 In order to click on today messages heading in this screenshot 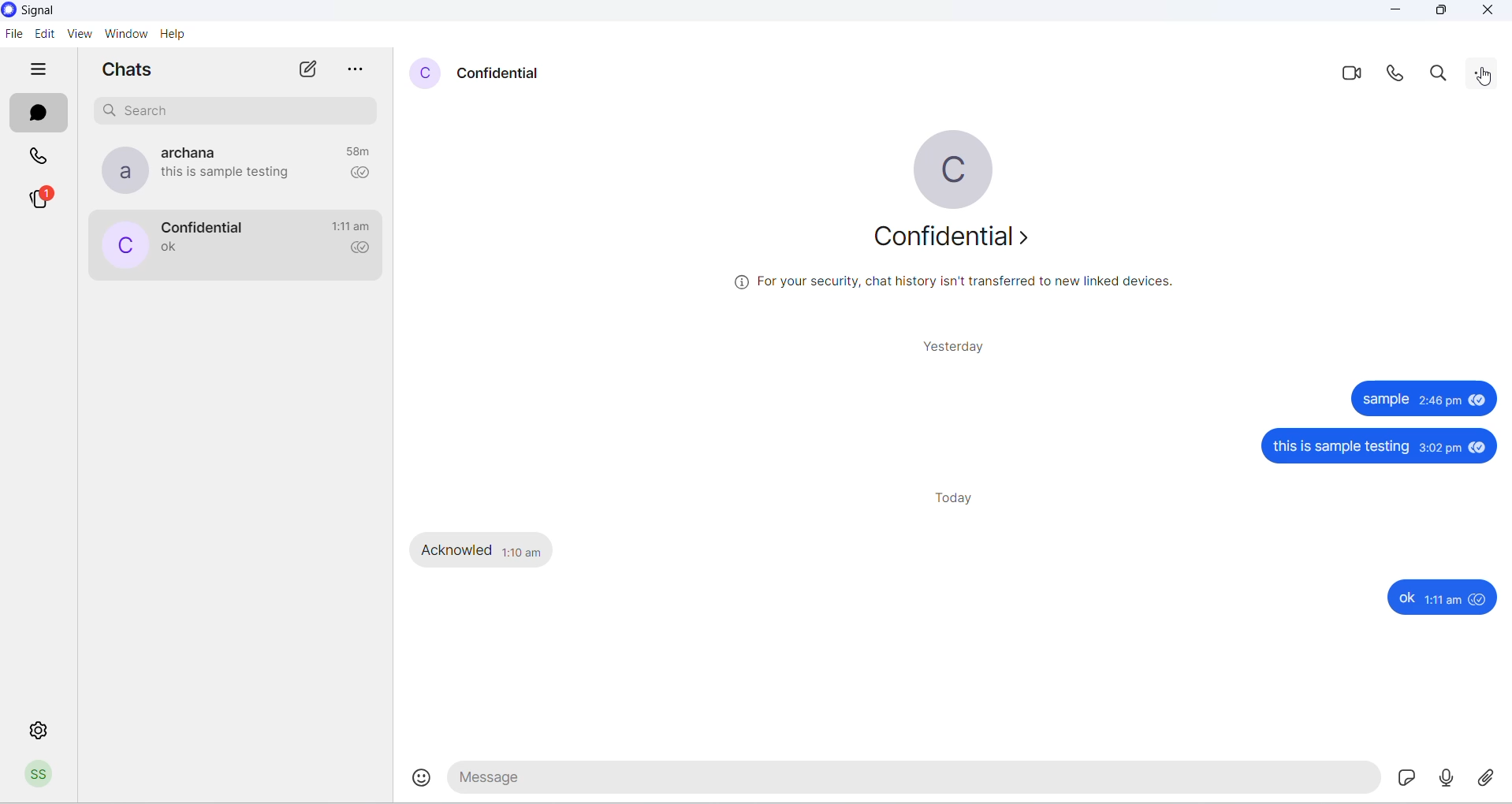, I will do `click(959, 499)`.